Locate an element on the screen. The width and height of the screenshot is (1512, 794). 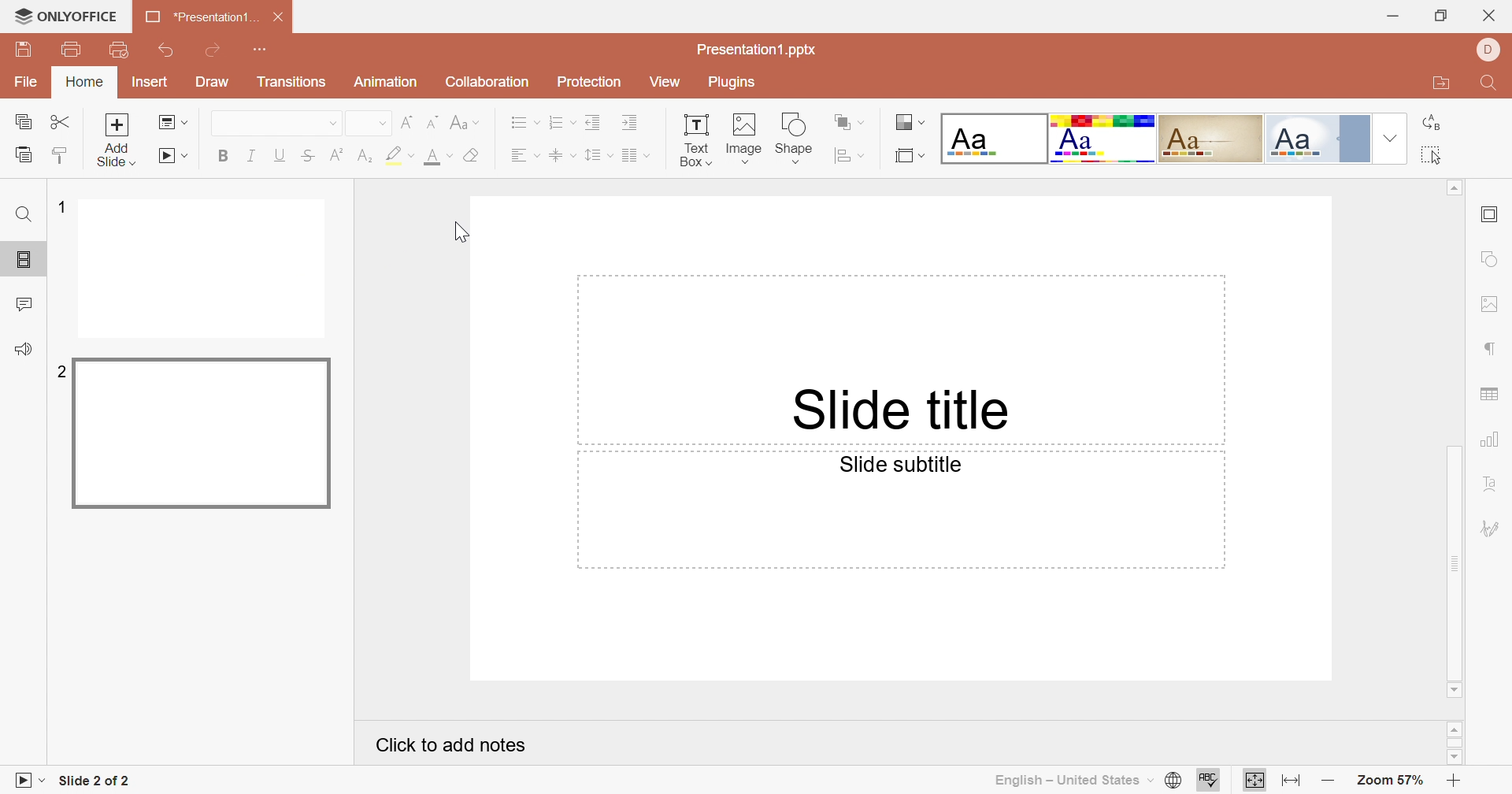
Clear is located at coordinates (474, 154).